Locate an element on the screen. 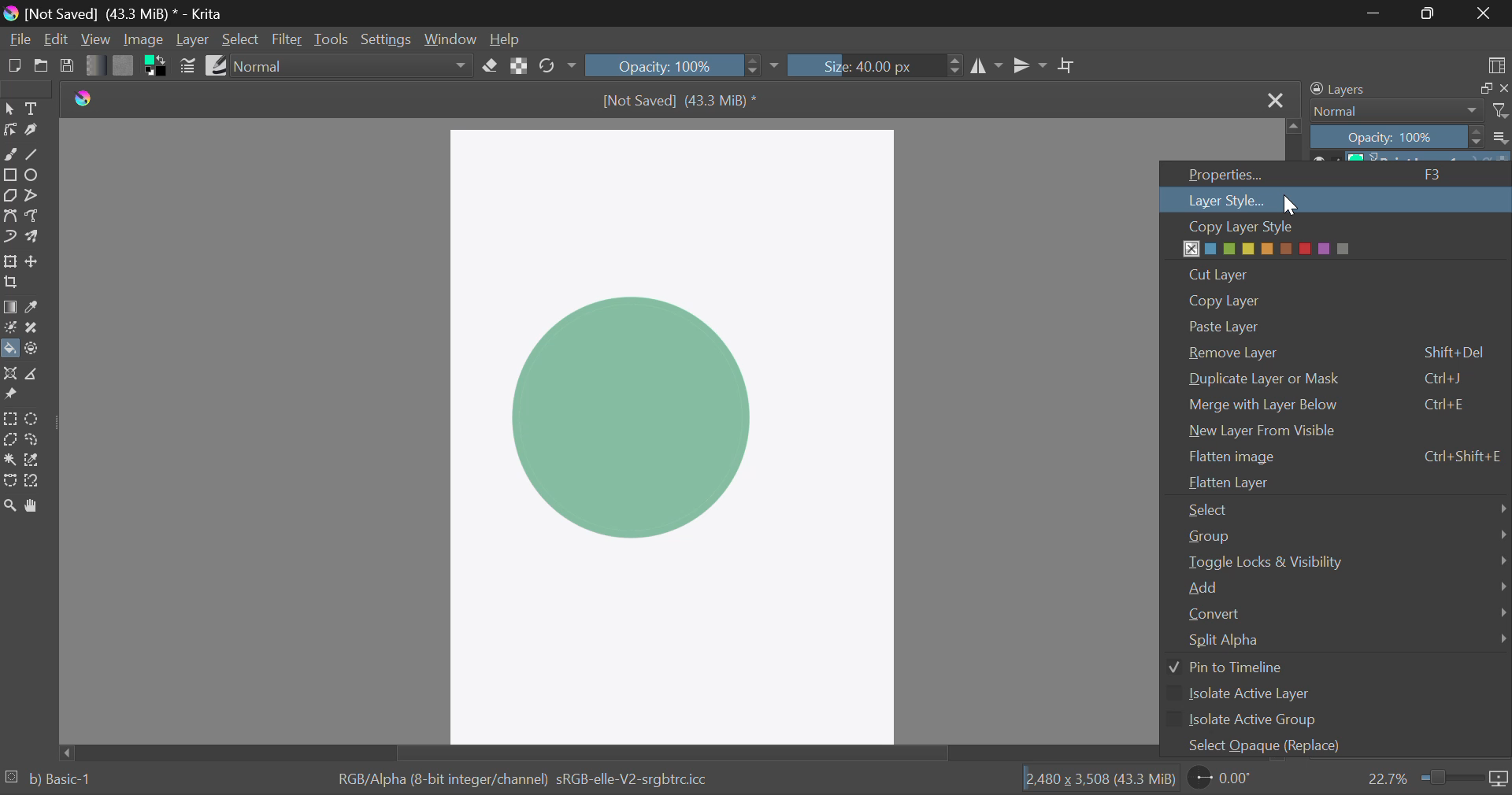 Image resolution: width=1512 pixels, height=795 pixels. Flatten Image is located at coordinates (1338, 456).